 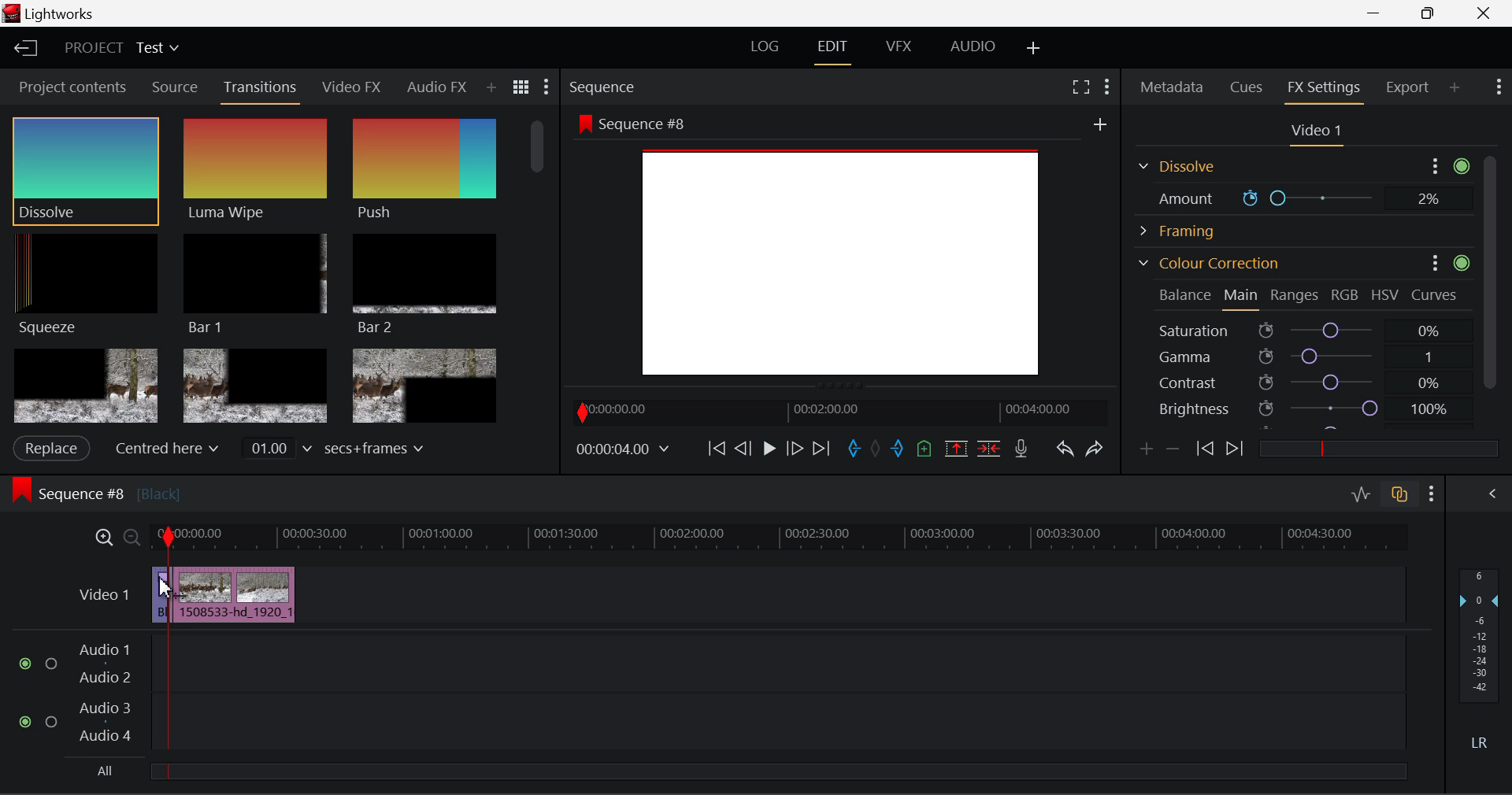 What do you see at coordinates (1203, 449) in the screenshot?
I see `Previous keyframe` at bounding box center [1203, 449].